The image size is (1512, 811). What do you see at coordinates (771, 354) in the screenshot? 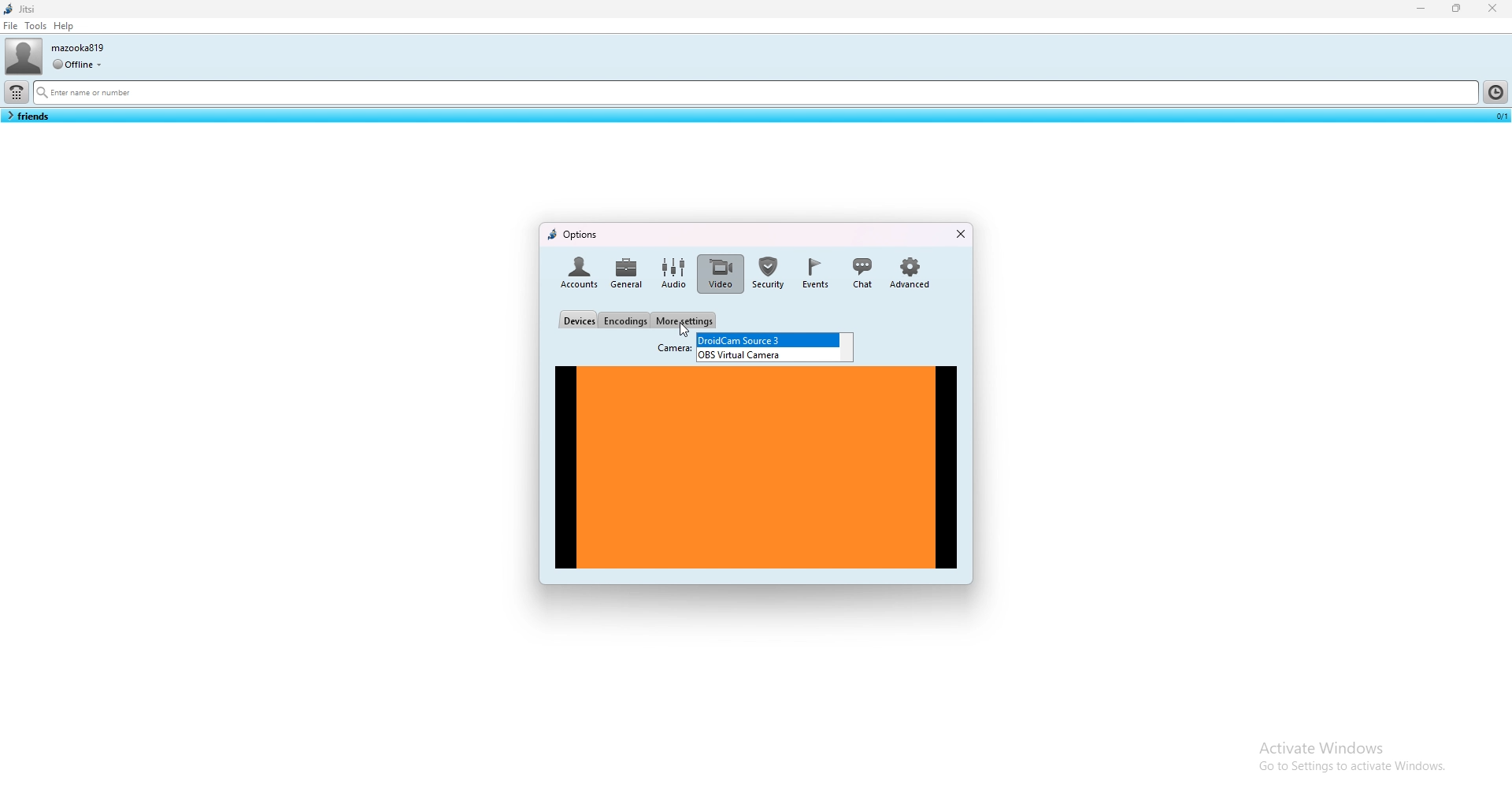
I see `camera source` at bounding box center [771, 354].